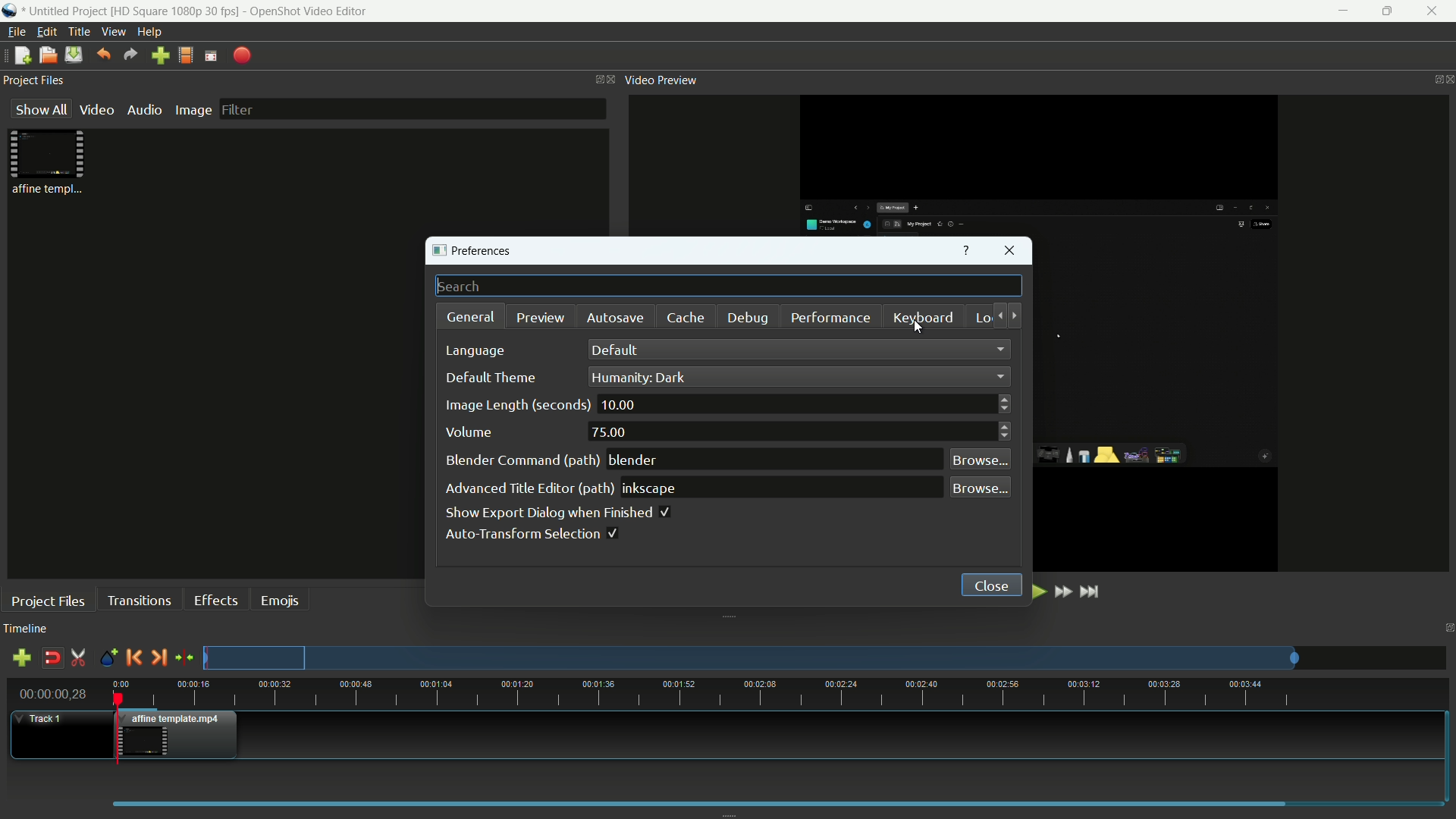  Describe the element at coordinates (608, 80) in the screenshot. I see `close project files` at that location.